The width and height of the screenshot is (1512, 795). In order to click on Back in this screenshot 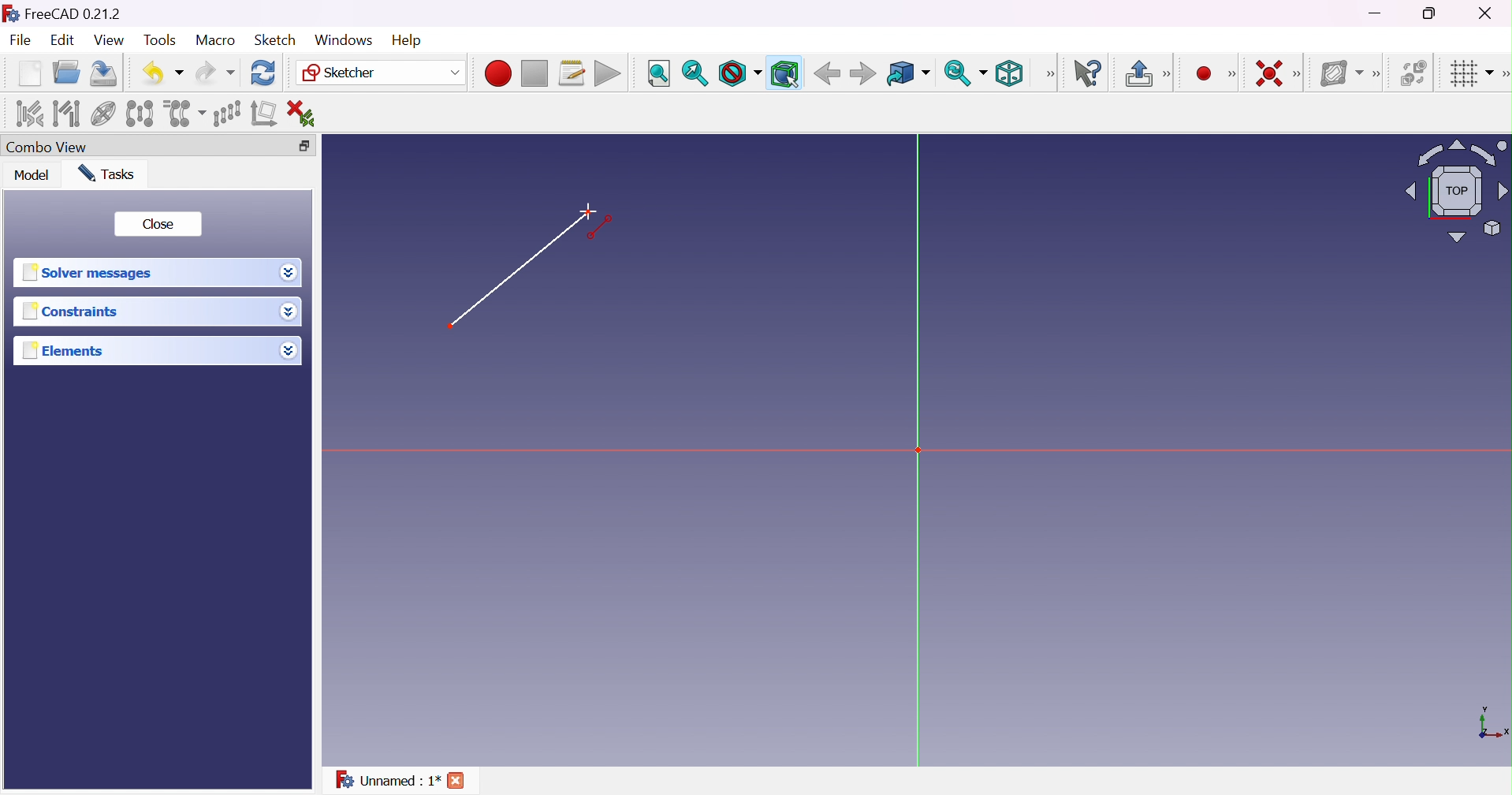, I will do `click(827, 74)`.